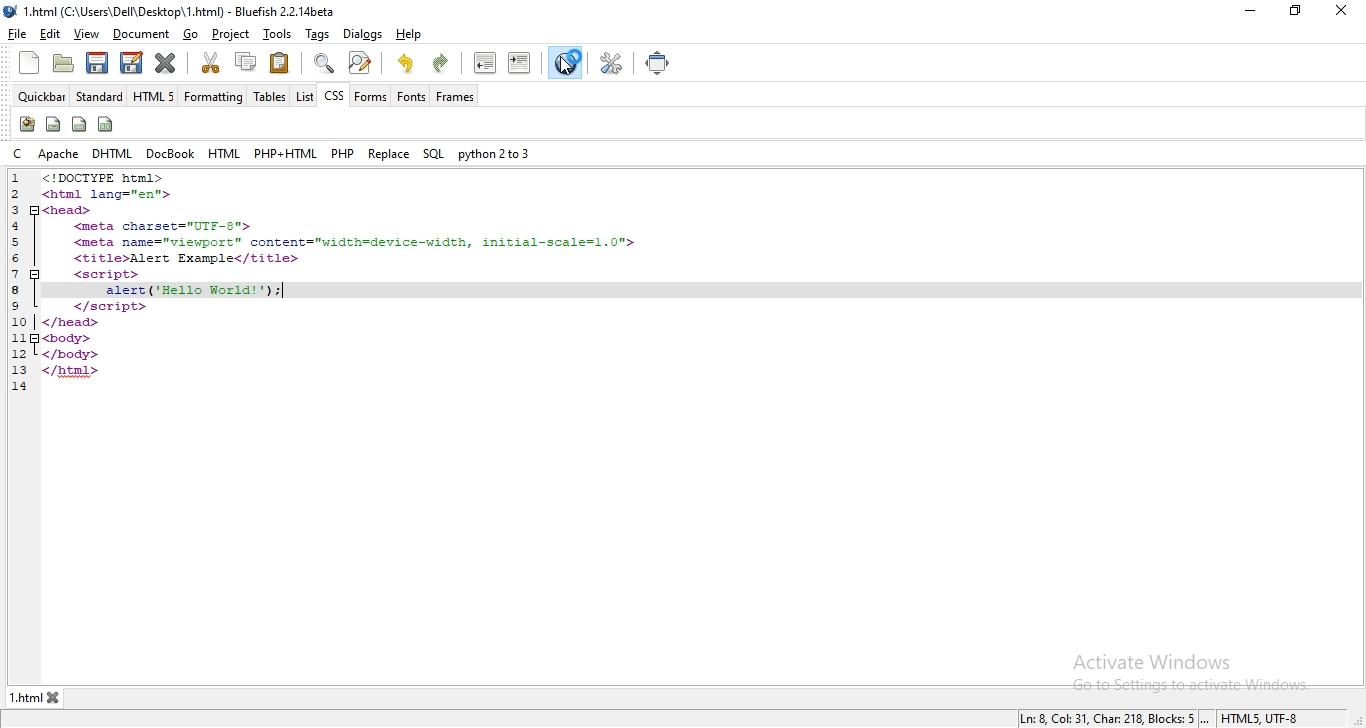  Describe the element at coordinates (15, 290) in the screenshot. I see `8` at that location.